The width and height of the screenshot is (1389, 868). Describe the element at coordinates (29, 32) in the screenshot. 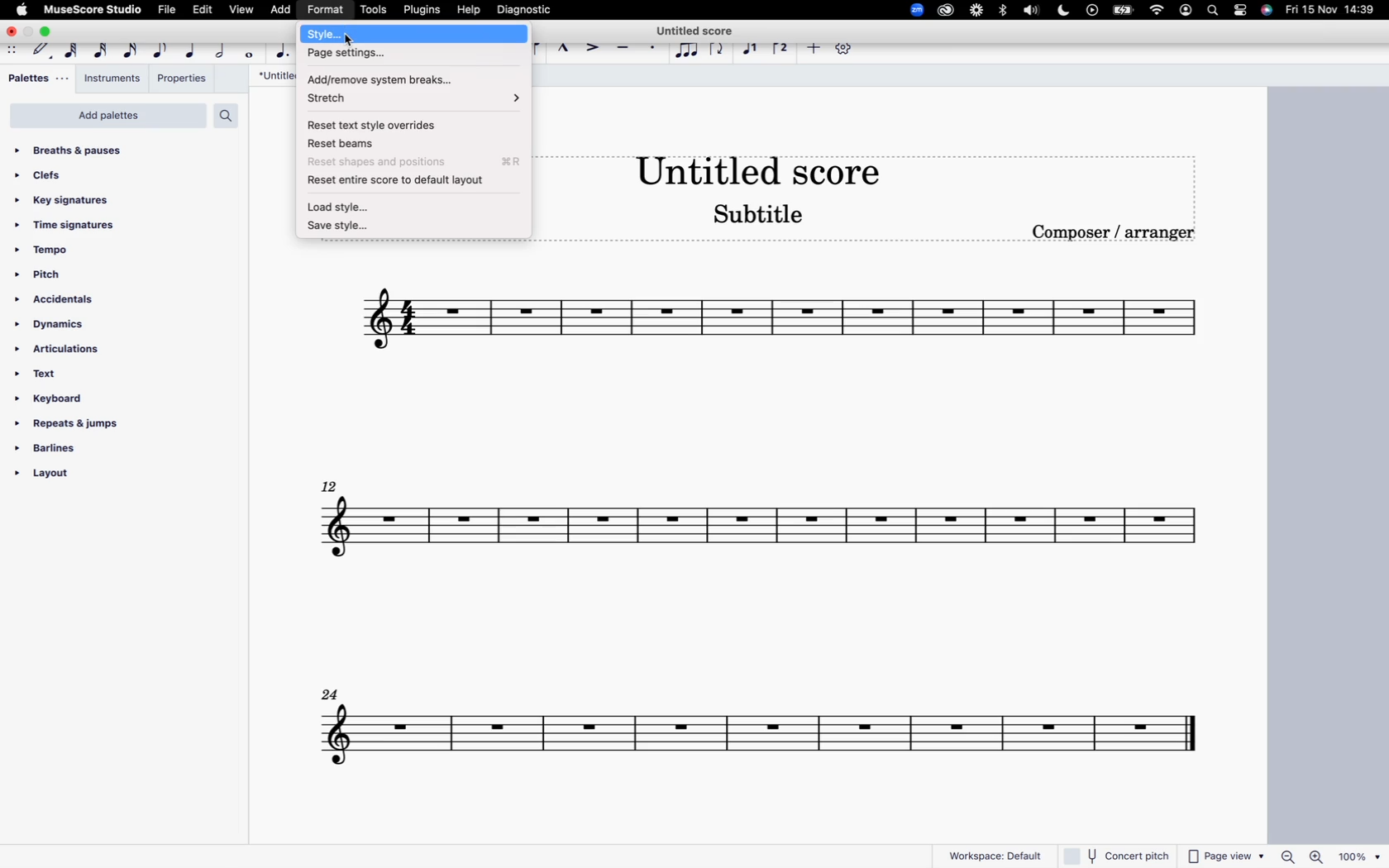

I see `minimize` at that location.